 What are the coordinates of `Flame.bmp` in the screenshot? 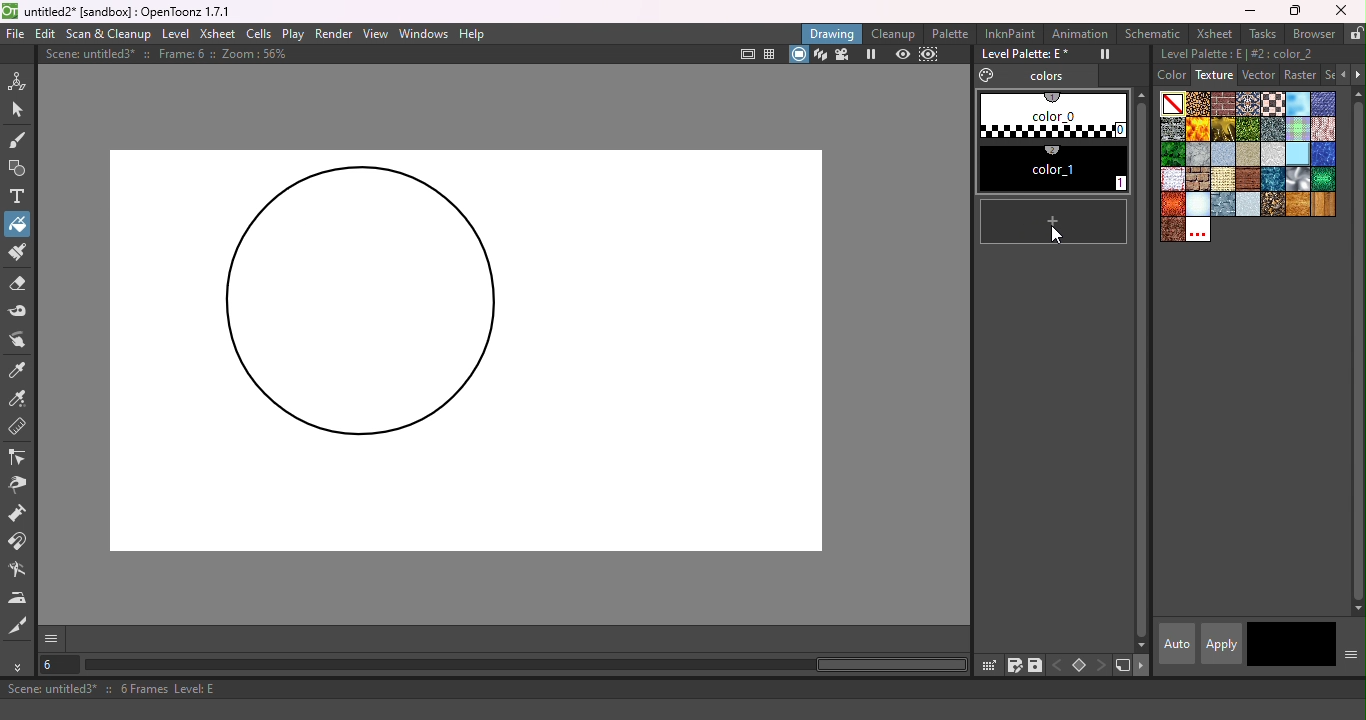 It's located at (1199, 129).